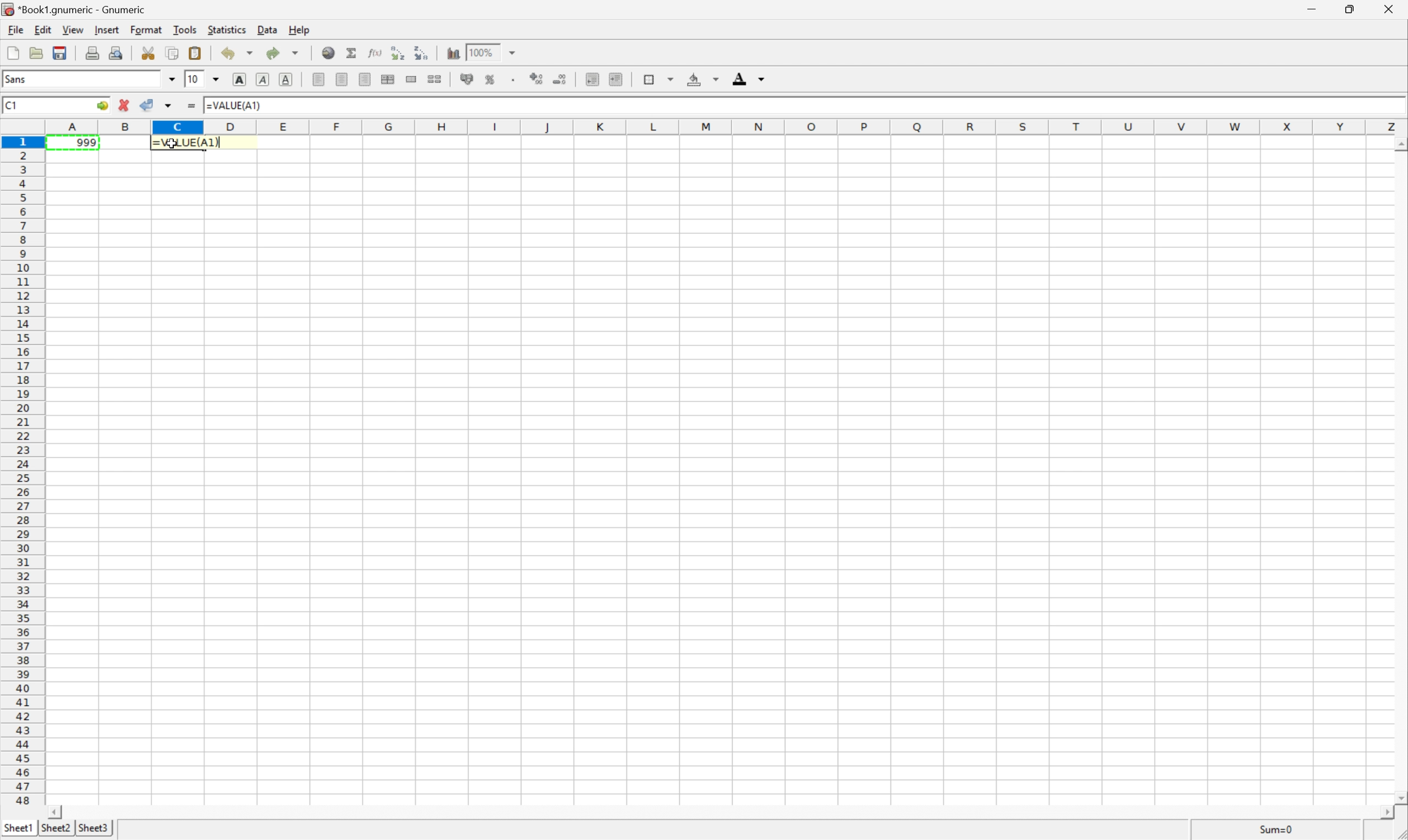 The height and width of the screenshot is (840, 1408). What do you see at coordinates (92, 831) in the screenshot?
I see `sheet3` at bounding box center [92, 831].